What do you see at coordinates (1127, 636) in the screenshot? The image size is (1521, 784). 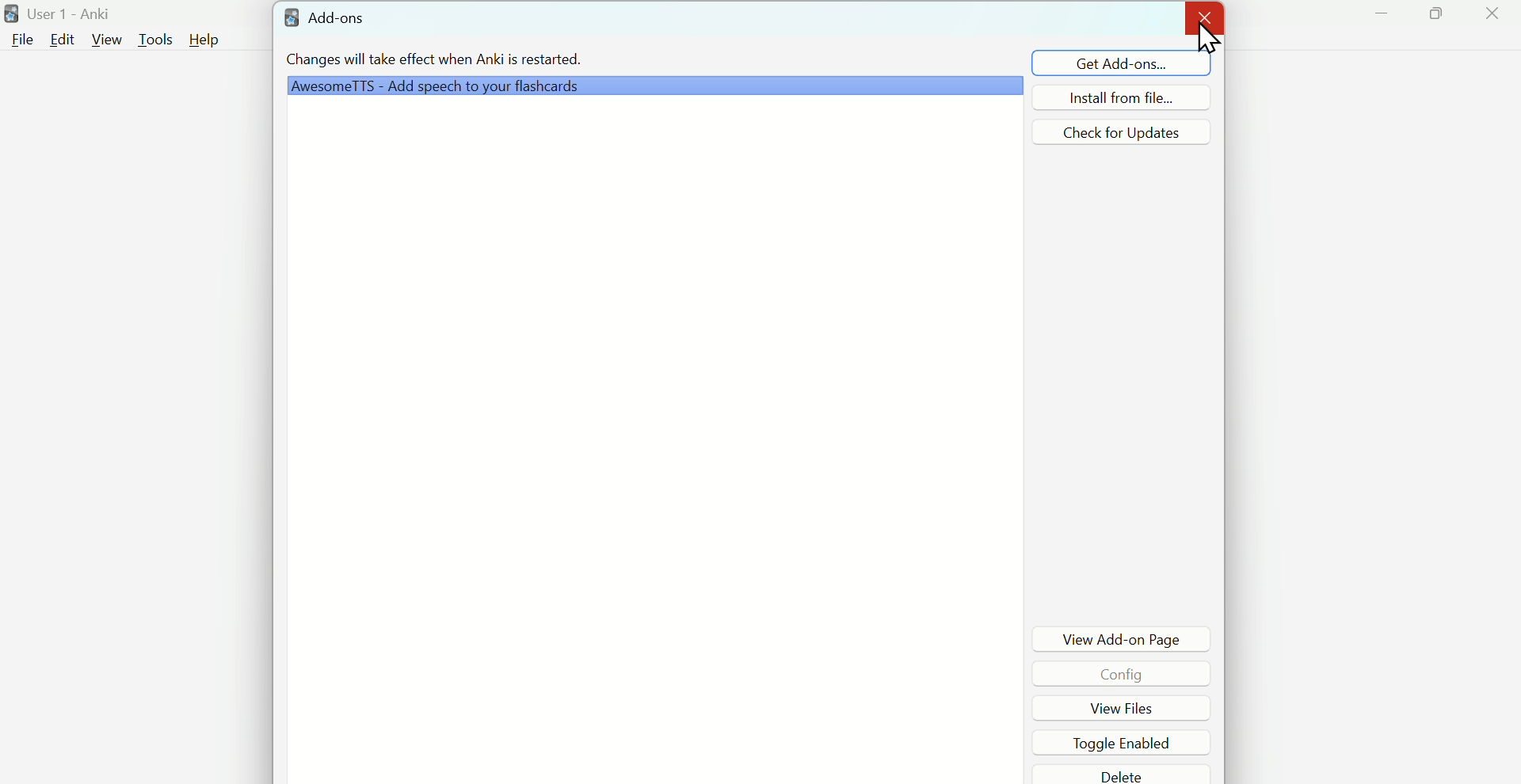 I see `View Add-on Page` at bounding box center [1127, 636].